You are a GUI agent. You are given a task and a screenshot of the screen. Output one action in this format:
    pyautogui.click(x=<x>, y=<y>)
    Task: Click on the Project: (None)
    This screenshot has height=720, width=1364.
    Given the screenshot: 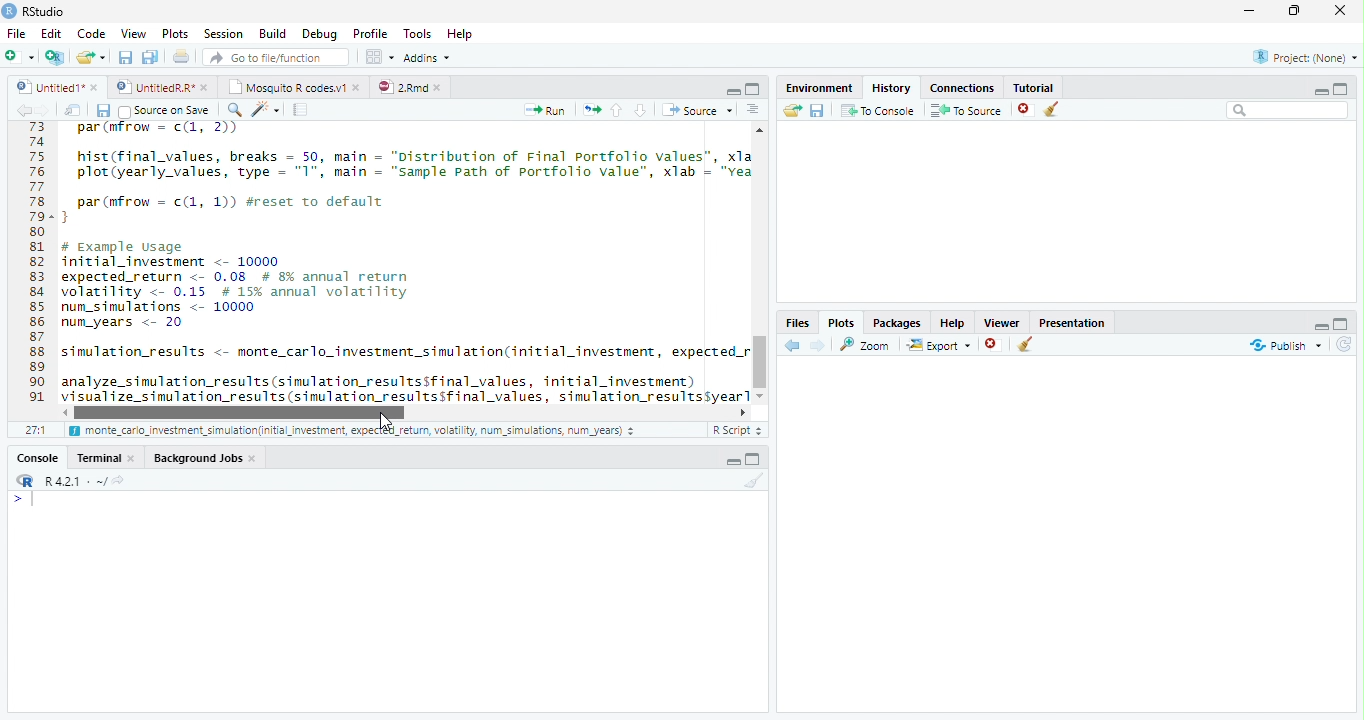 What is the action you would take?
    pyautogui.click(x=1301, y=58)
    